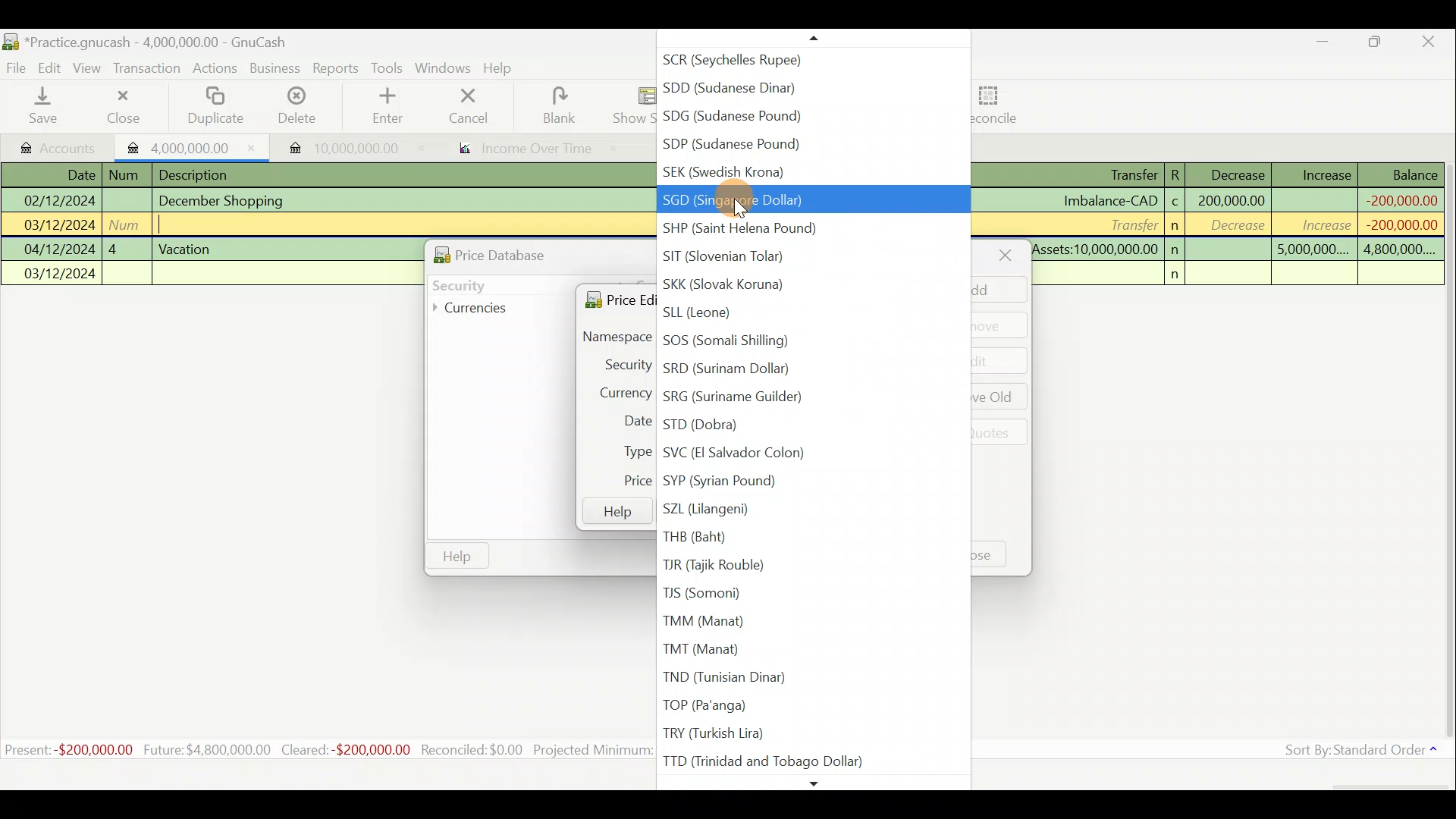  Describe the element at coordinates (228, 201) in the screenshot. I see `December Shopping` at that location.